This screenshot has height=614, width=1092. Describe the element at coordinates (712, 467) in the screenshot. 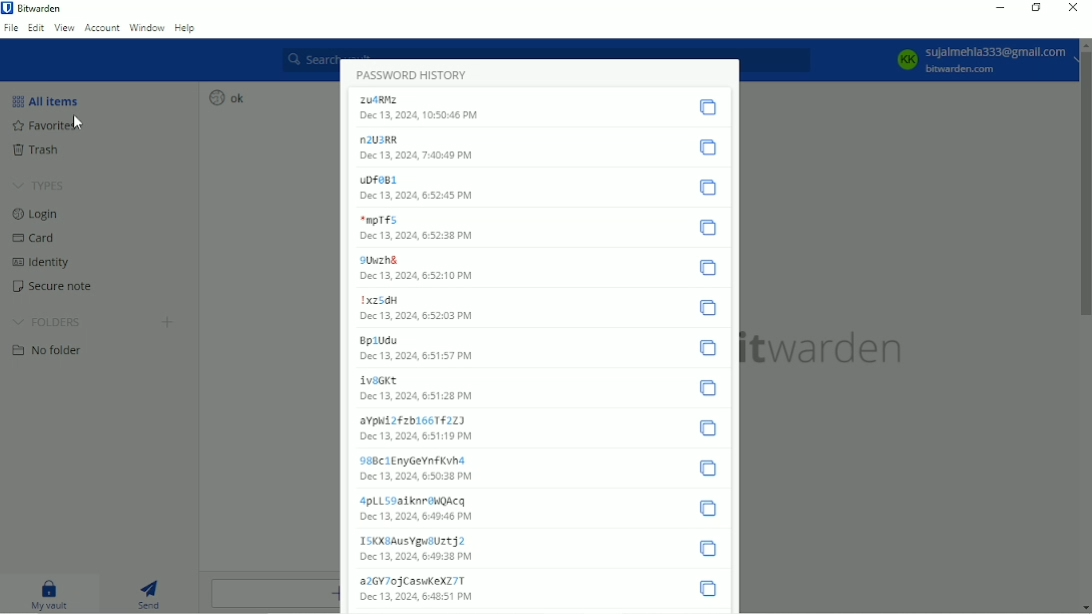

I see `Copy password` at that location.